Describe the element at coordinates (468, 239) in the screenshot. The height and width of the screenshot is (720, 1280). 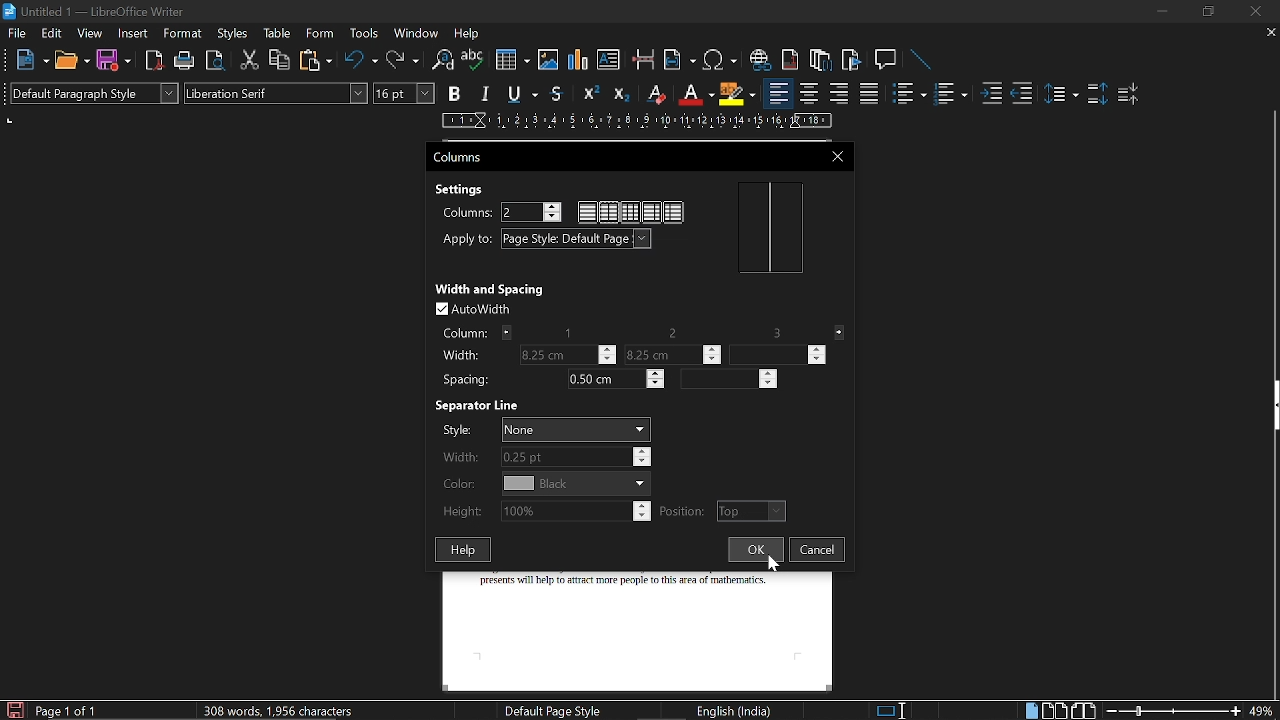
I see `Apply to` at that location.